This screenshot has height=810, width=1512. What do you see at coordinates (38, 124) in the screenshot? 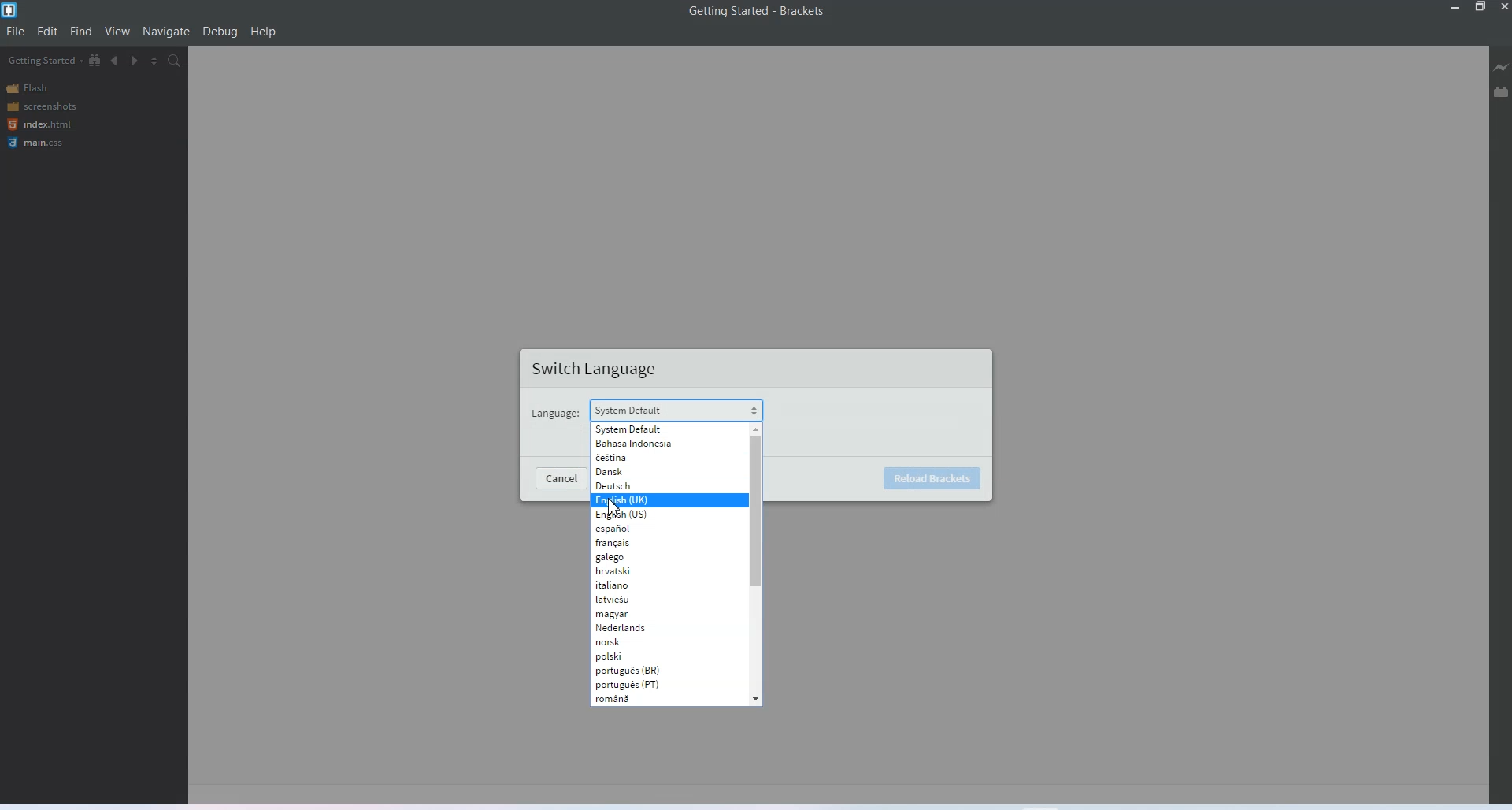
I see `Index` at bounding box center [38, 124].